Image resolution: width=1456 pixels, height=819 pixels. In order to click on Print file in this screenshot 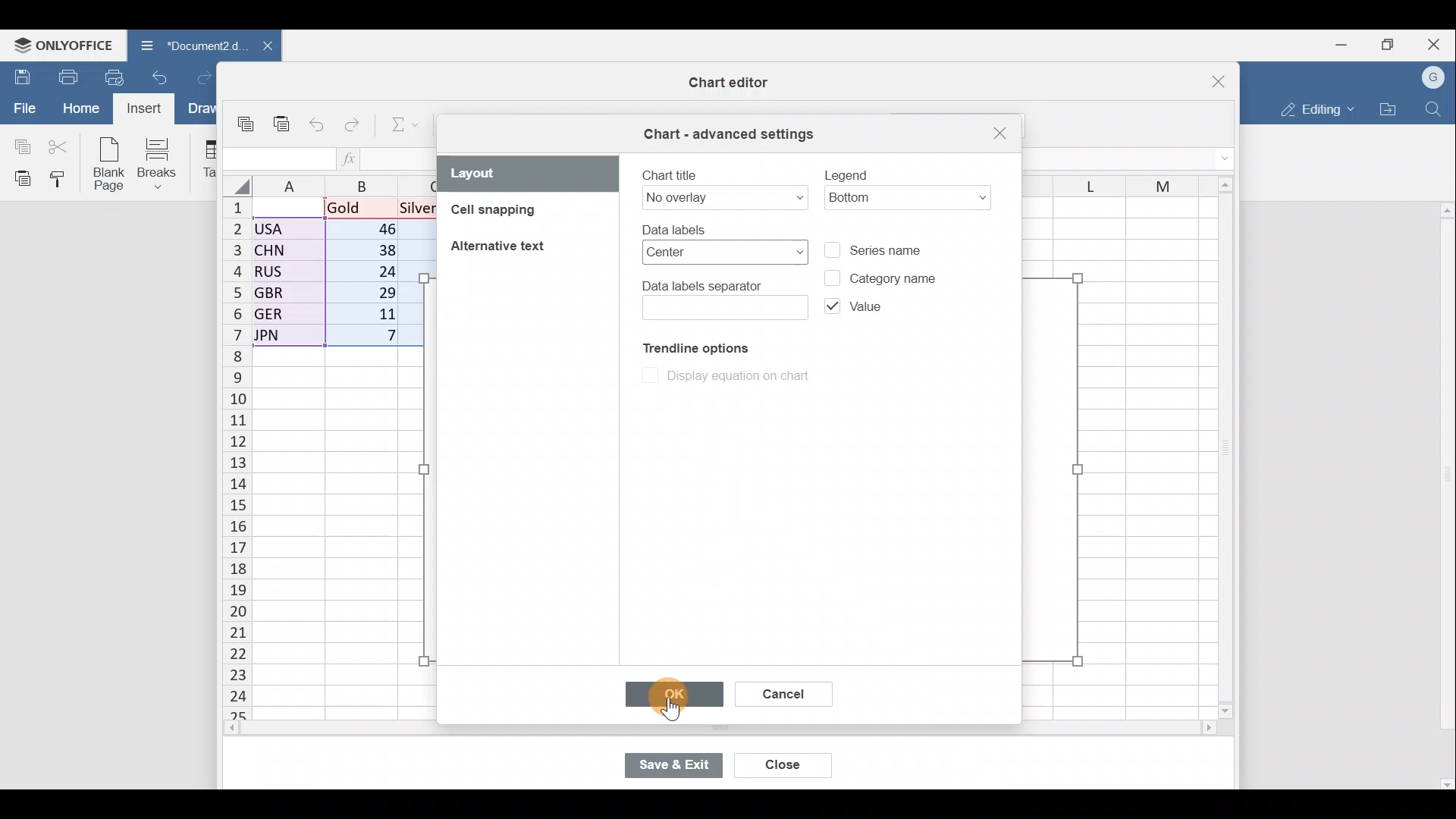, I will do `click(67, 76)`.